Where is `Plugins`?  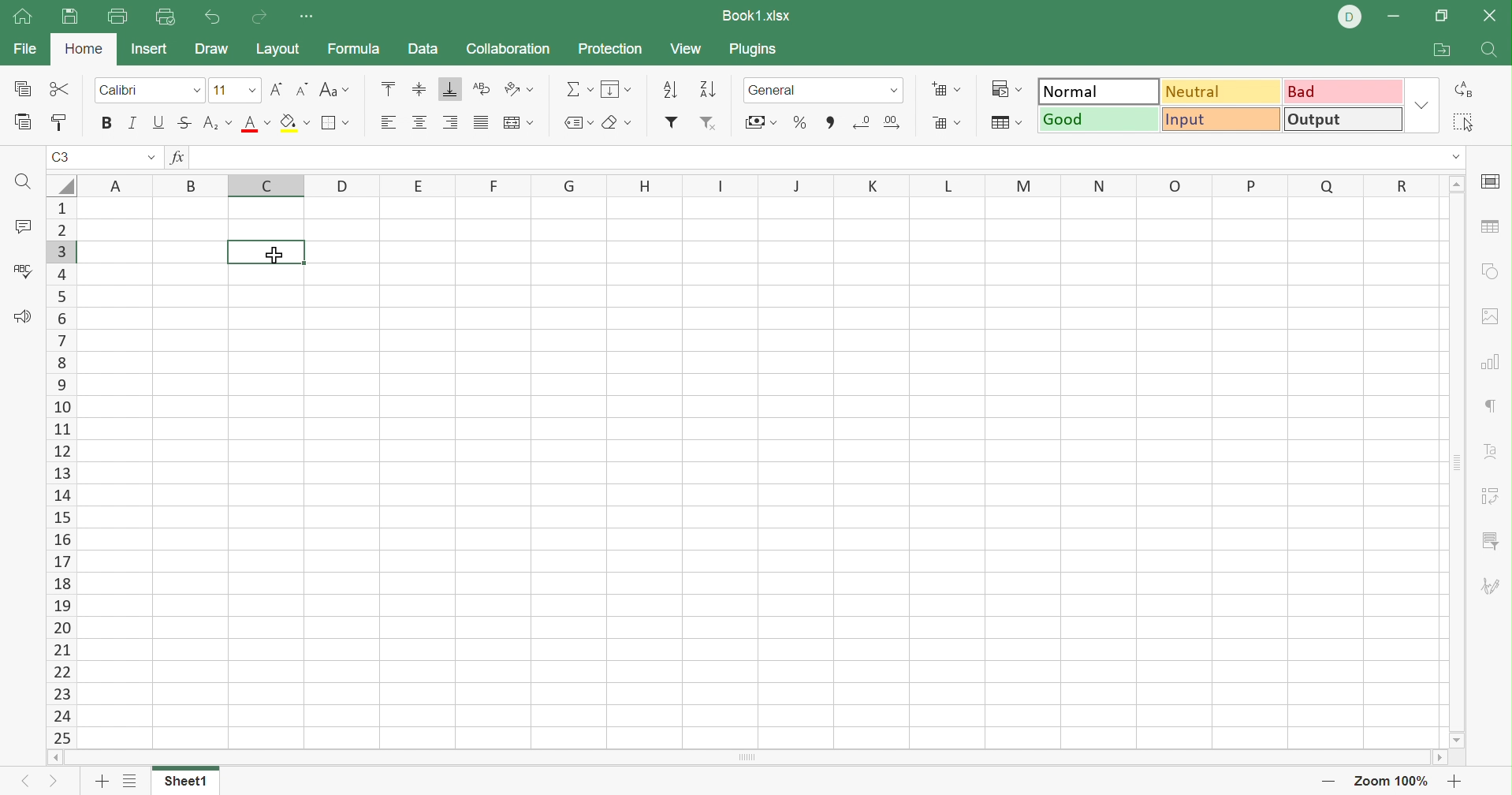 Plugins is located at coordinates (754, 50).